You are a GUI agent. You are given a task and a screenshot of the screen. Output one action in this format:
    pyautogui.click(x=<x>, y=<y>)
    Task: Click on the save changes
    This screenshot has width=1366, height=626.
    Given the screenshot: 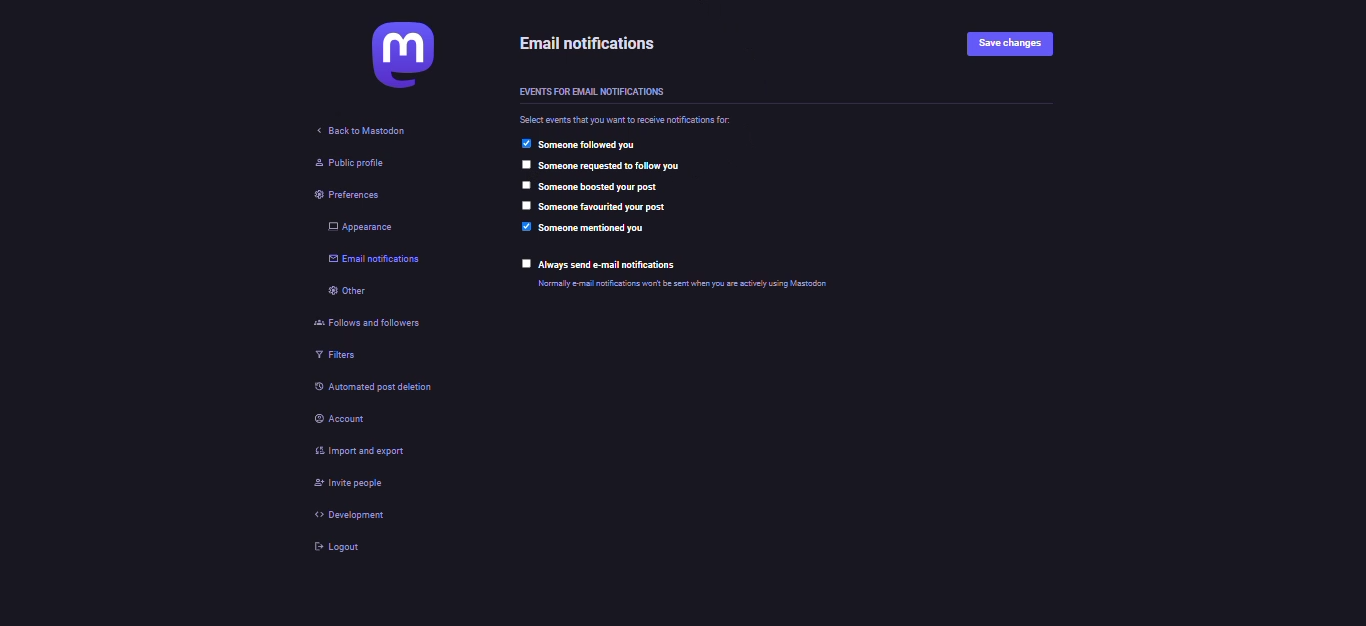 What is the action you would take?
    pyautogui.click(x=1018, y=42)
    